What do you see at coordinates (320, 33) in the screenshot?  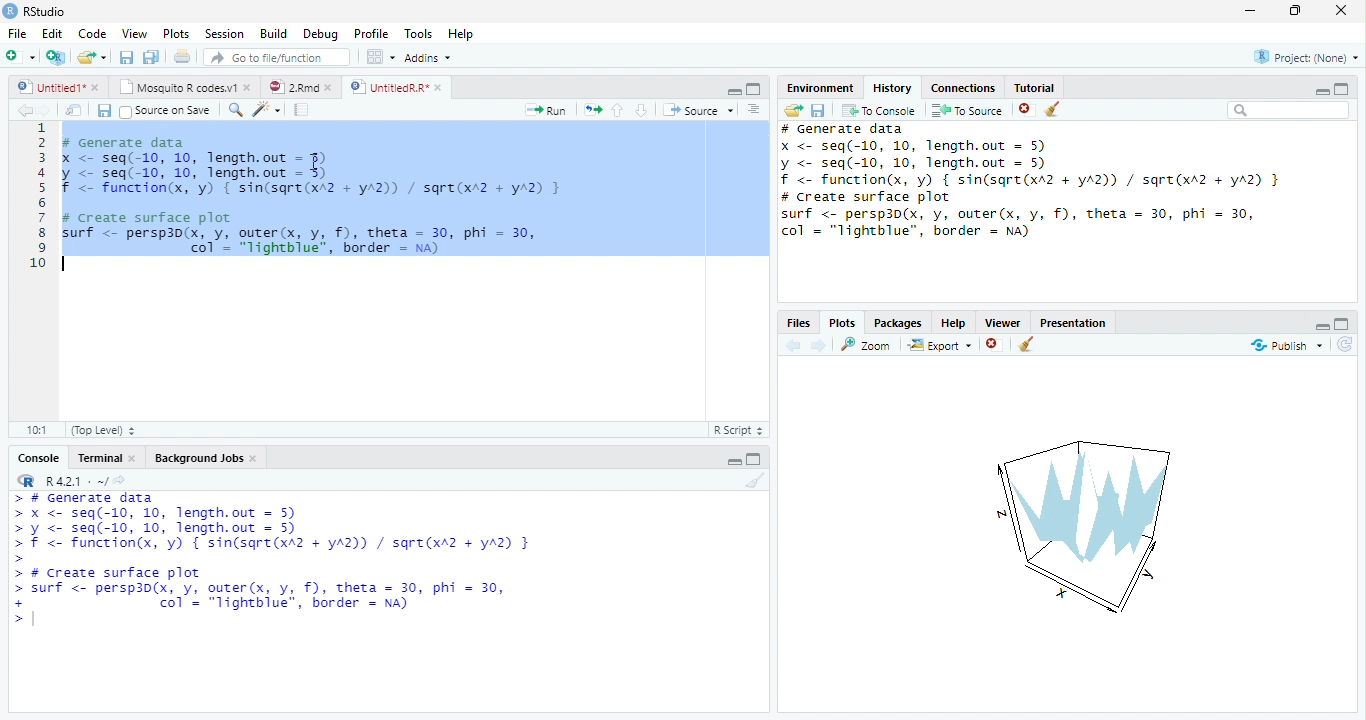 I see `Debug` at bounding box center [320, 33].